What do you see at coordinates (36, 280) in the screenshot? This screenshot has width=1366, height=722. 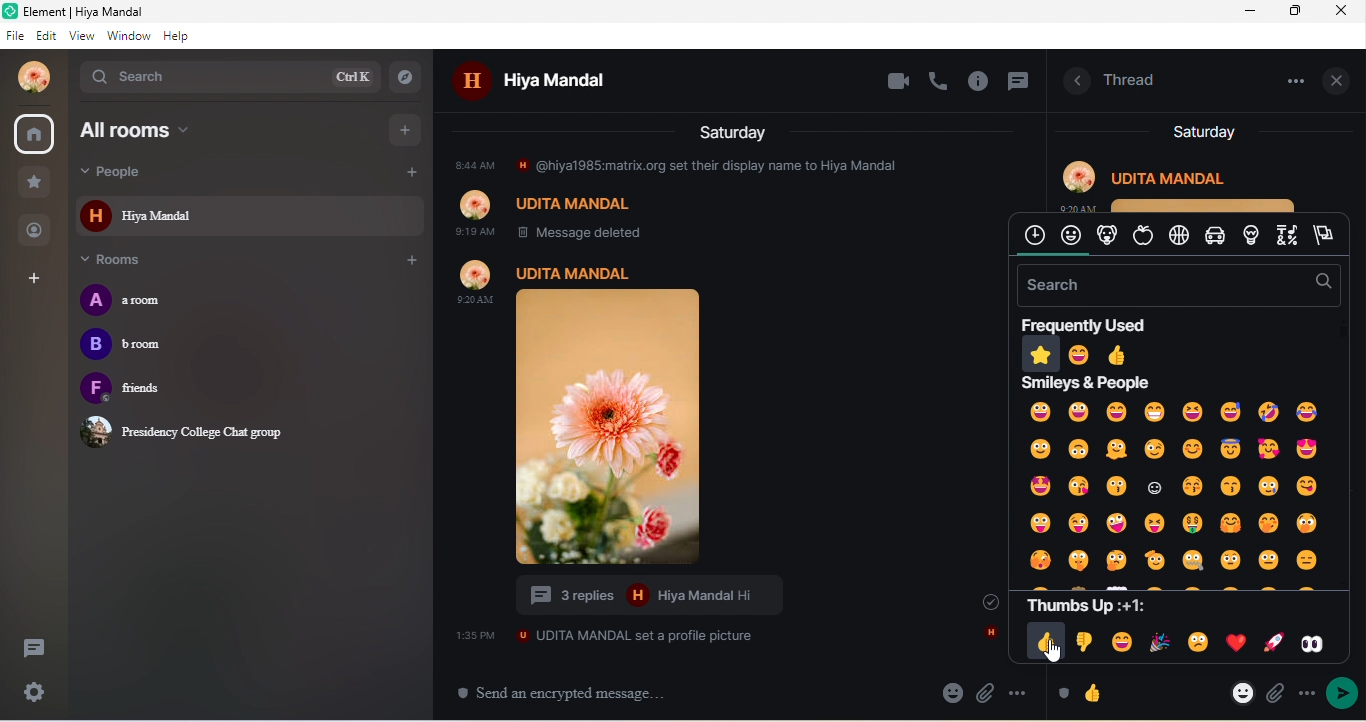 I see `create a space` at bounding box center [36, 280].